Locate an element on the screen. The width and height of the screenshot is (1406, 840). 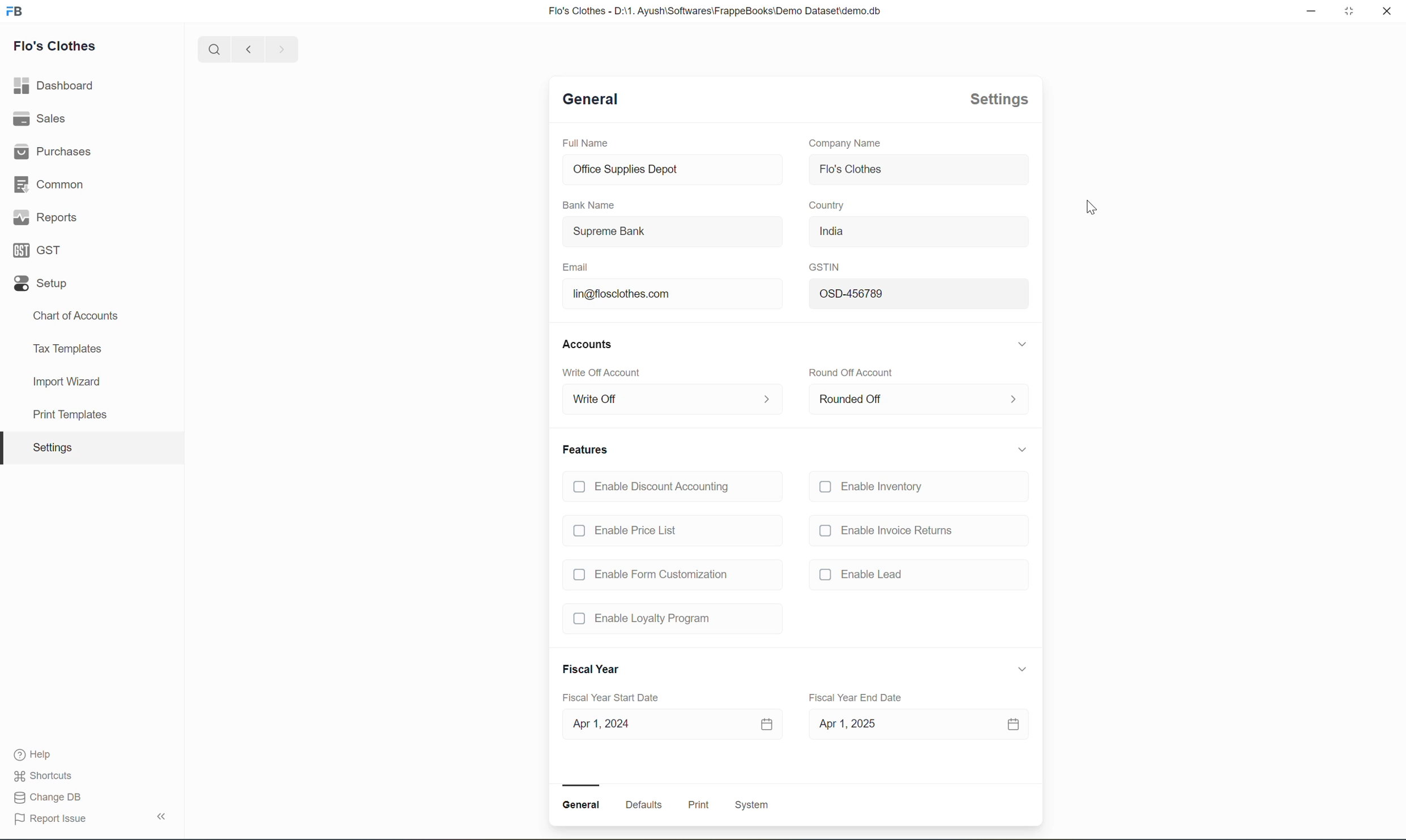
Enable Invoice Returns is located at coordinates (885, 531).